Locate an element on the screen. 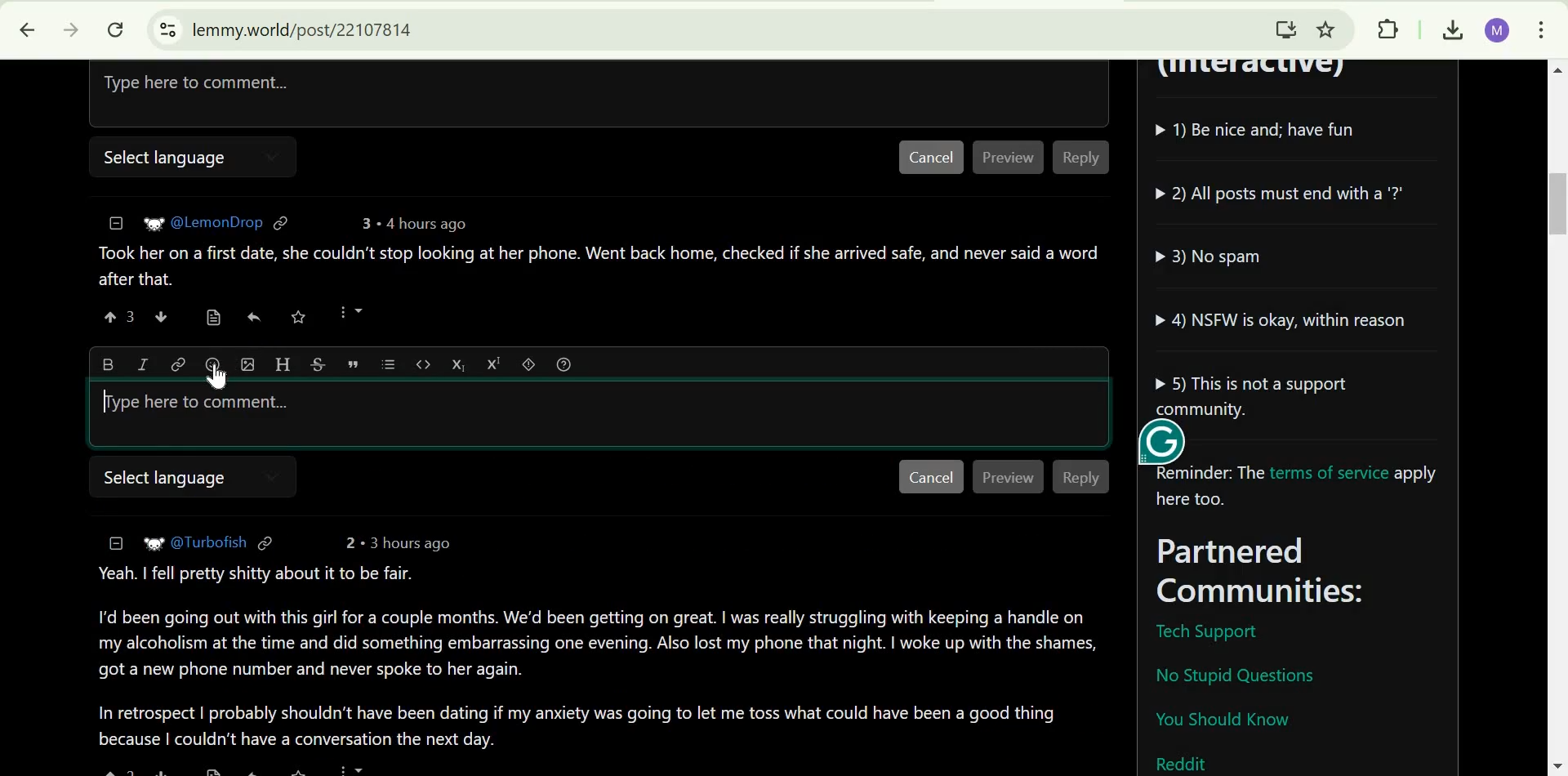  Cancel is located at coordinates (931, 477).